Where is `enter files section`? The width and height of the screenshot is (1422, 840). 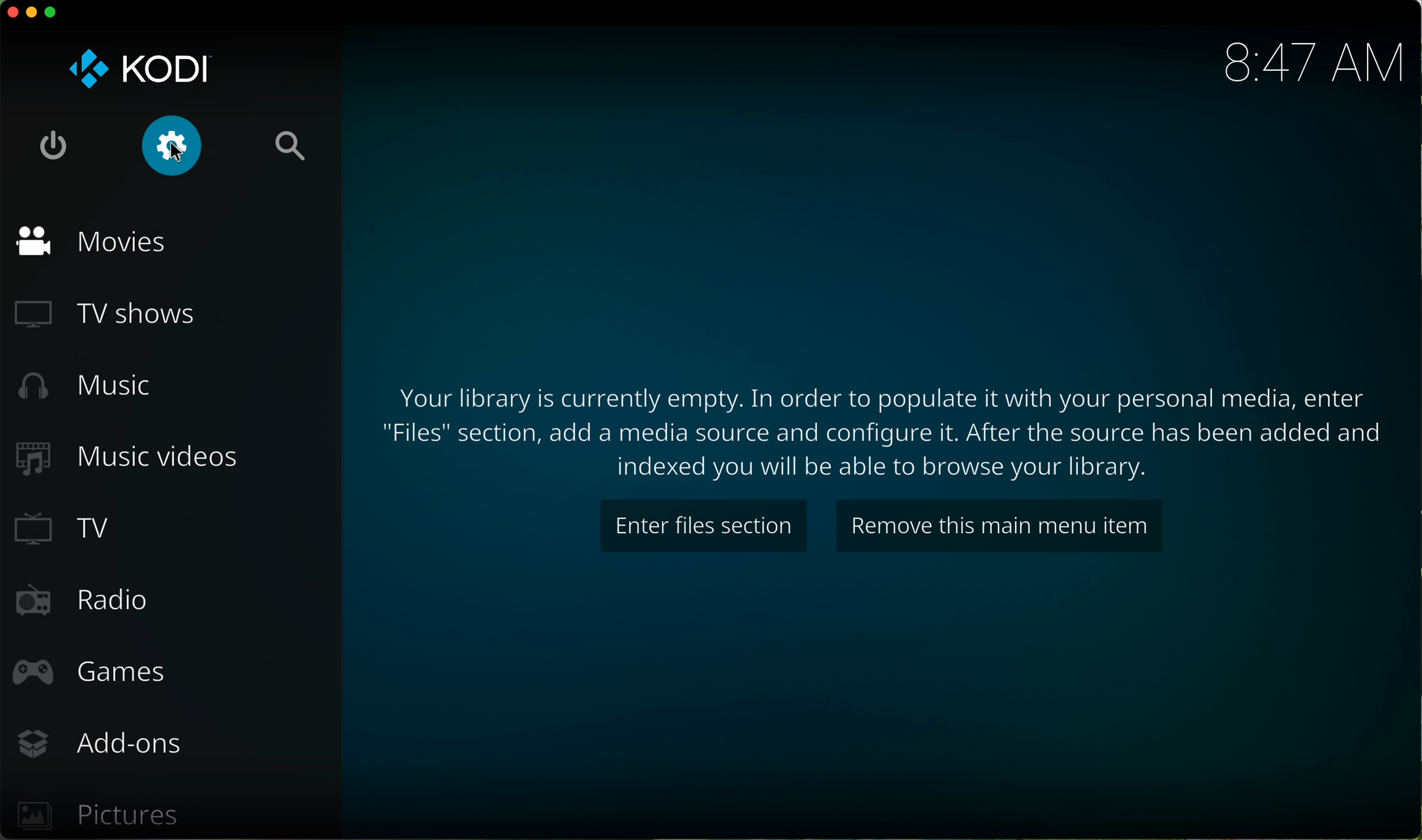
enter files section is located at coordinates (705, 524).